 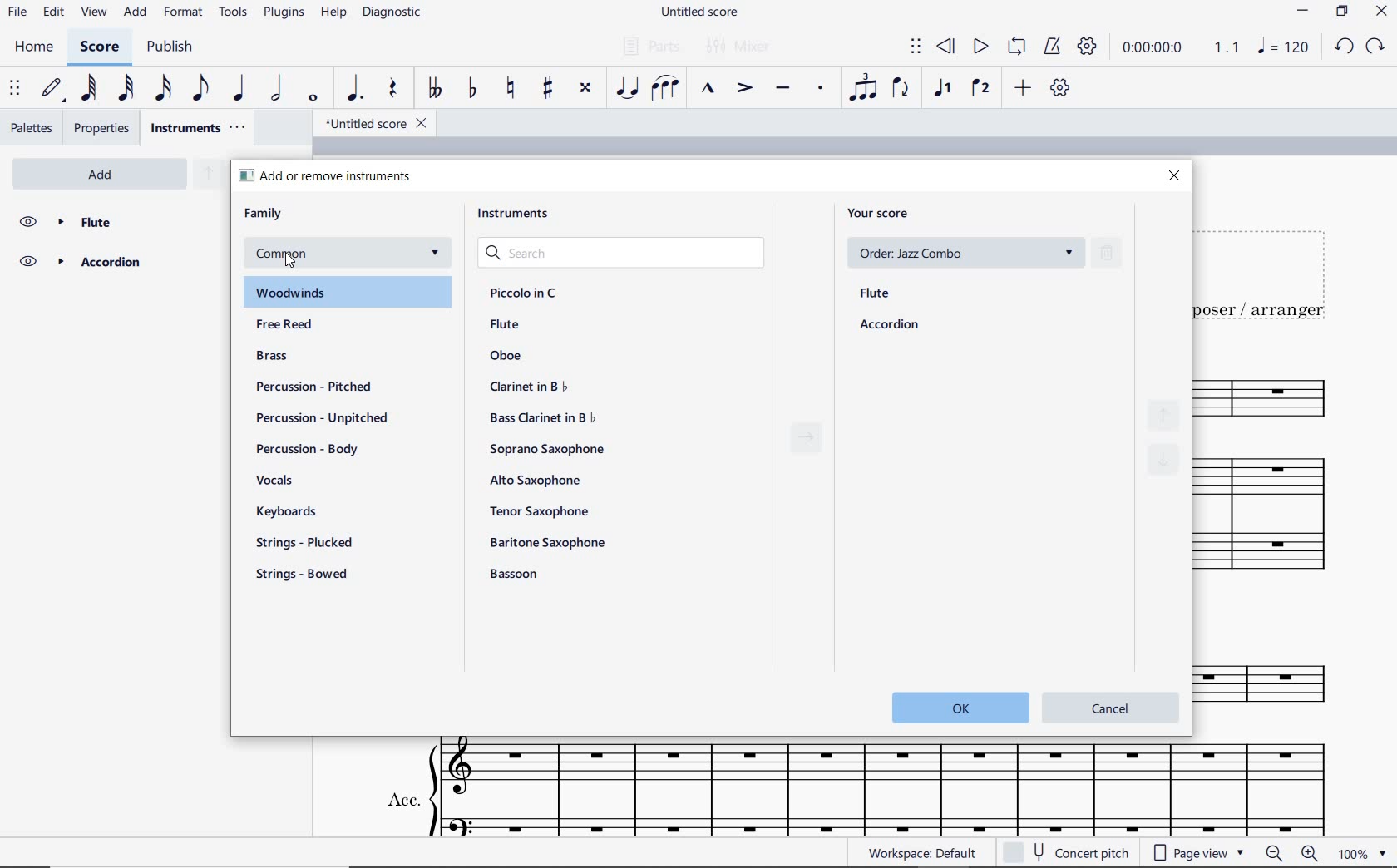 What do you see at coordinates (17, 11) in the screenshot?
I see `FILE` at bounding box center [17, 11].